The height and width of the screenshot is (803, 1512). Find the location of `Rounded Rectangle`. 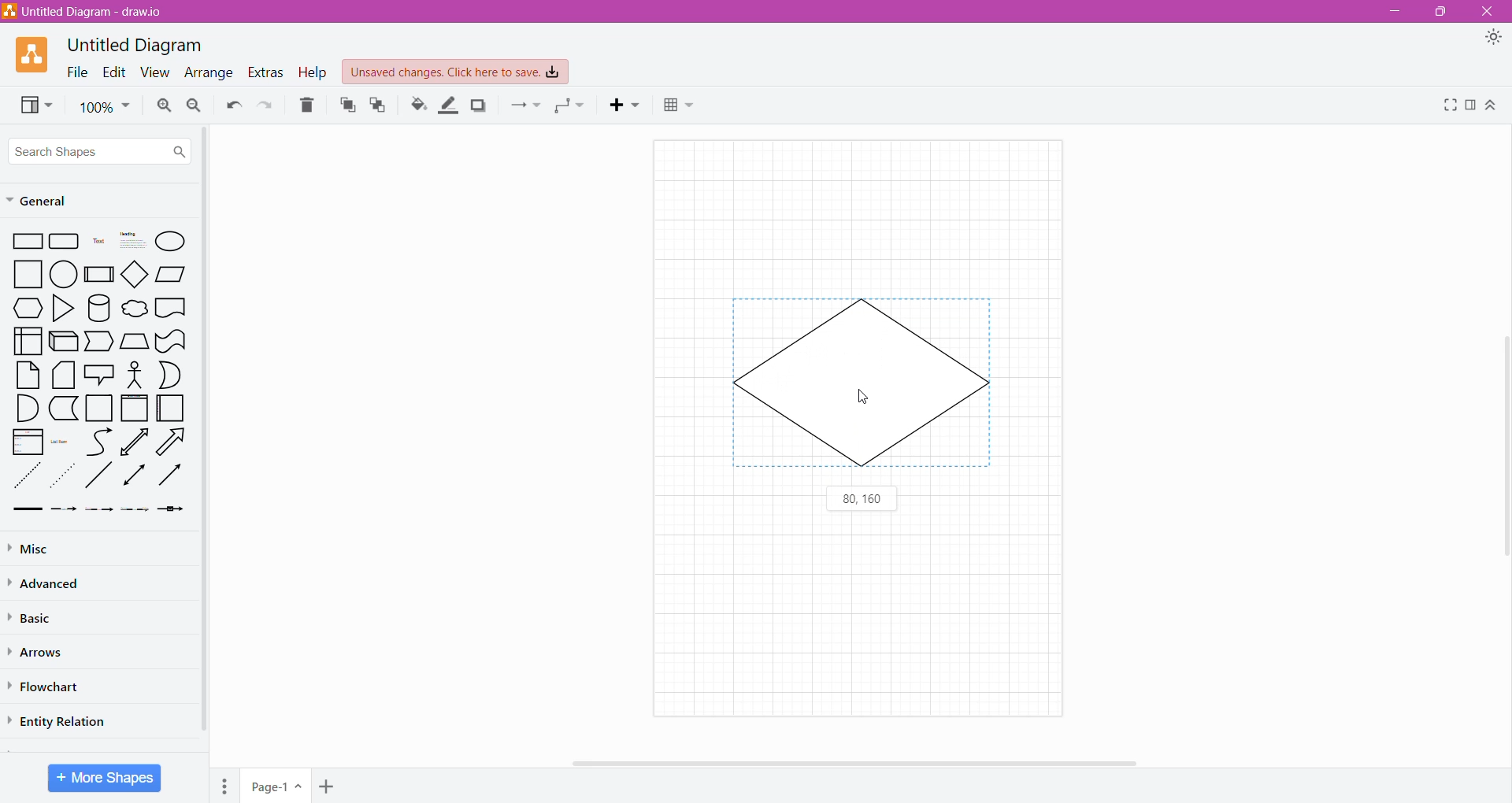

Rounded Rectangle is located at coordinates (65, 242).